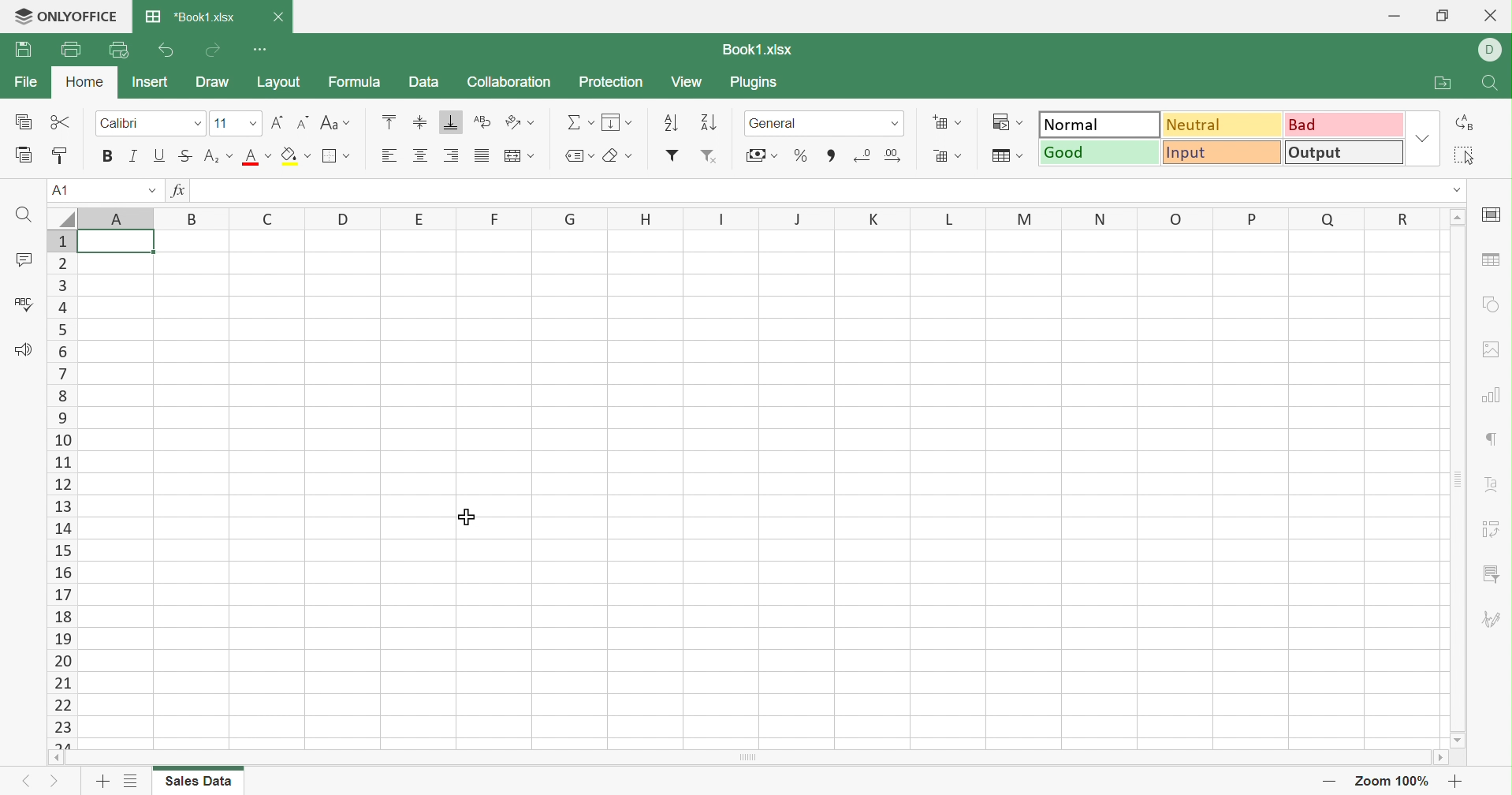 The image size is (1512, 795). I want to click on Slide settings, so click(1494, 214).